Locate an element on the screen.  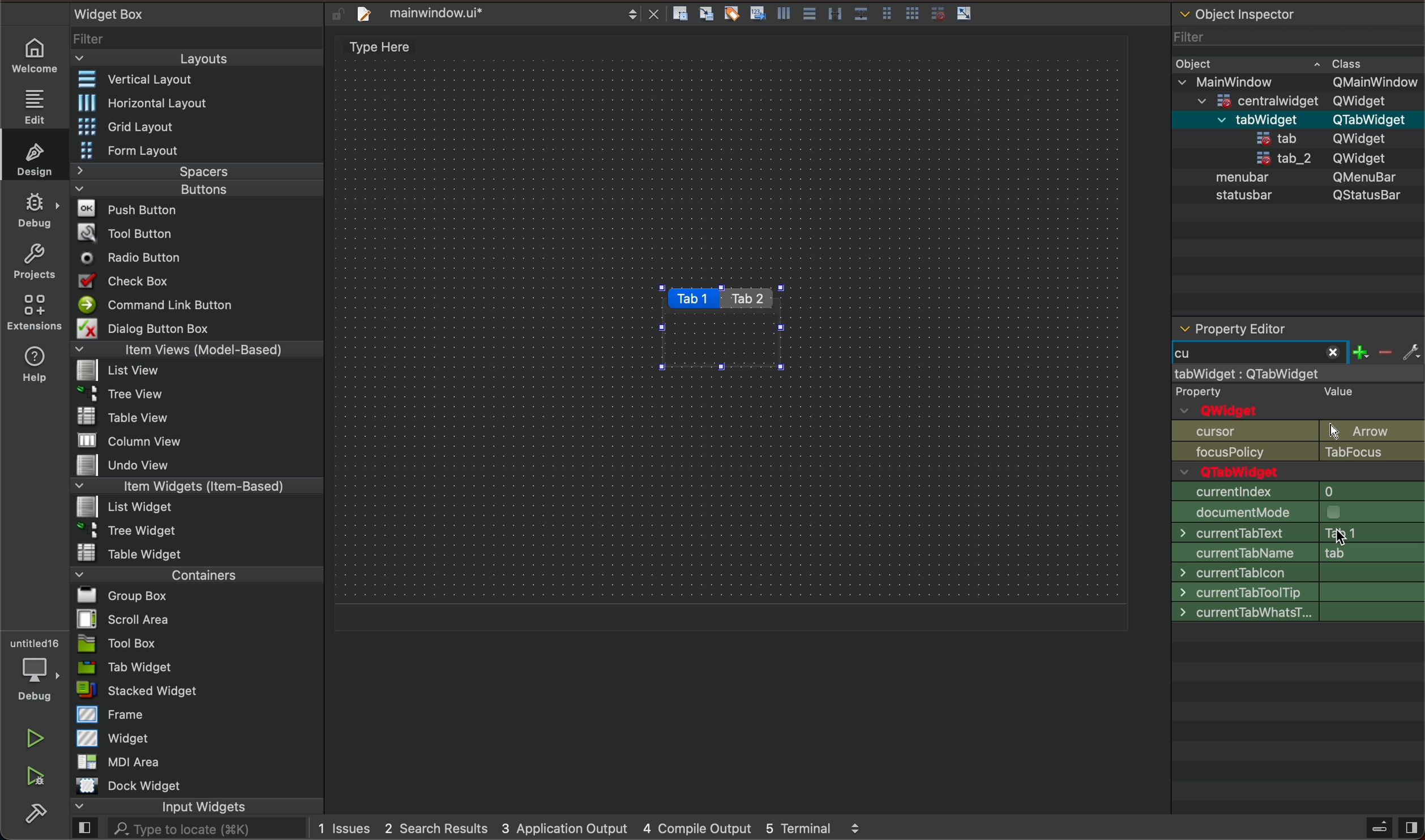
mainwindow is located at coordinates (1300, 373).